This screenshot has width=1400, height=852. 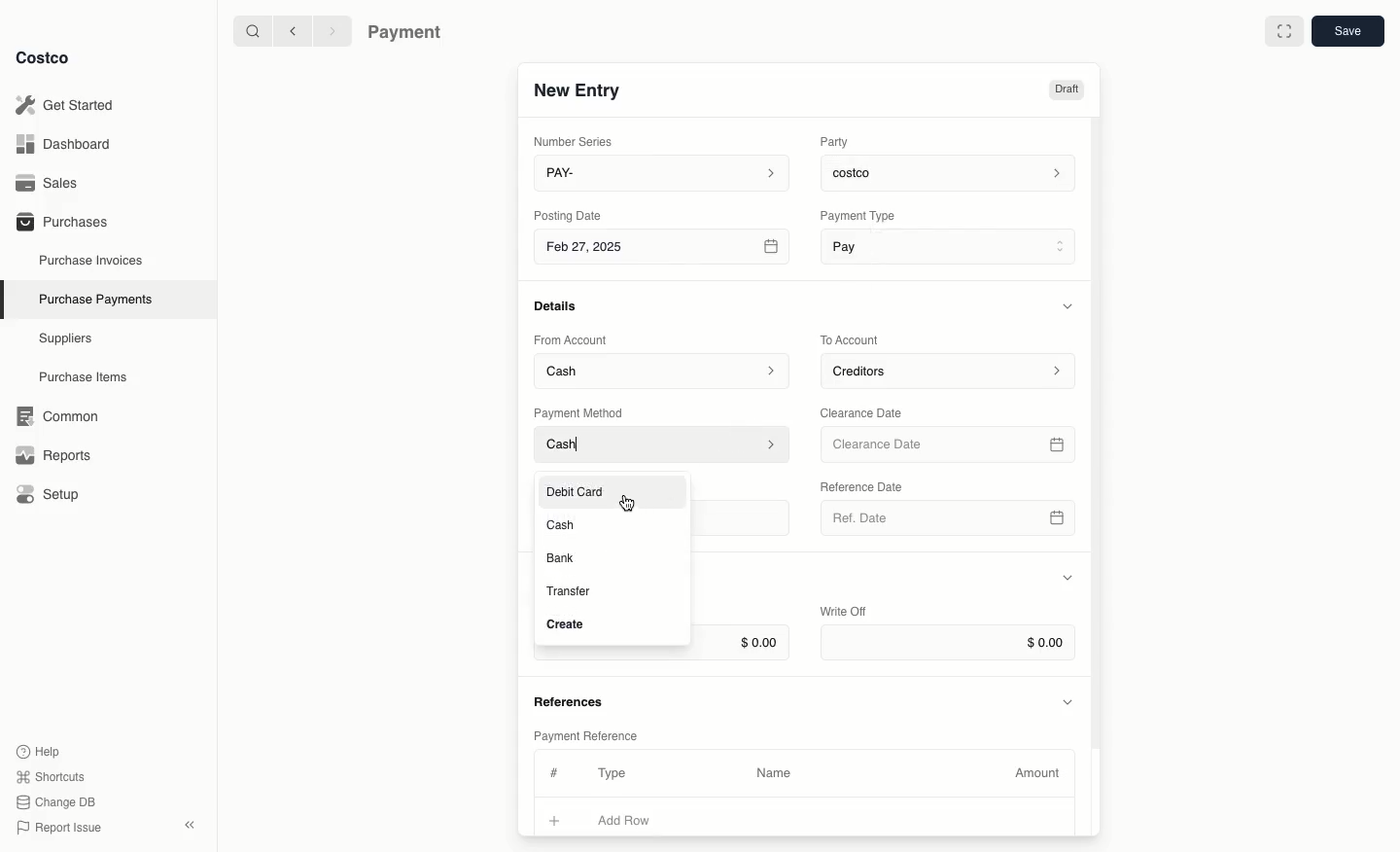 What do you see at coordinates (551, 770) in the screenshot?
I see `#` at bounding box center [551, 770].